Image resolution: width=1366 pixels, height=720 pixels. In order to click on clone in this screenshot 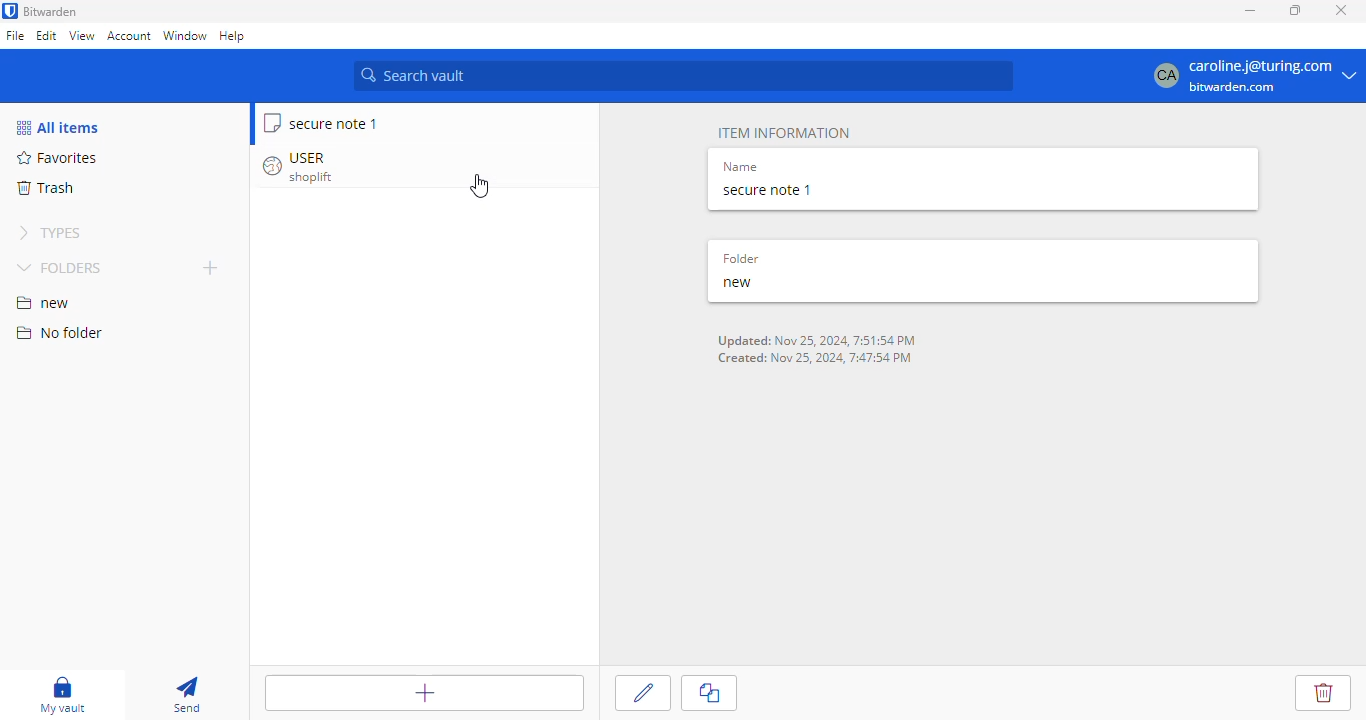, I will do `click(709, 693)`.